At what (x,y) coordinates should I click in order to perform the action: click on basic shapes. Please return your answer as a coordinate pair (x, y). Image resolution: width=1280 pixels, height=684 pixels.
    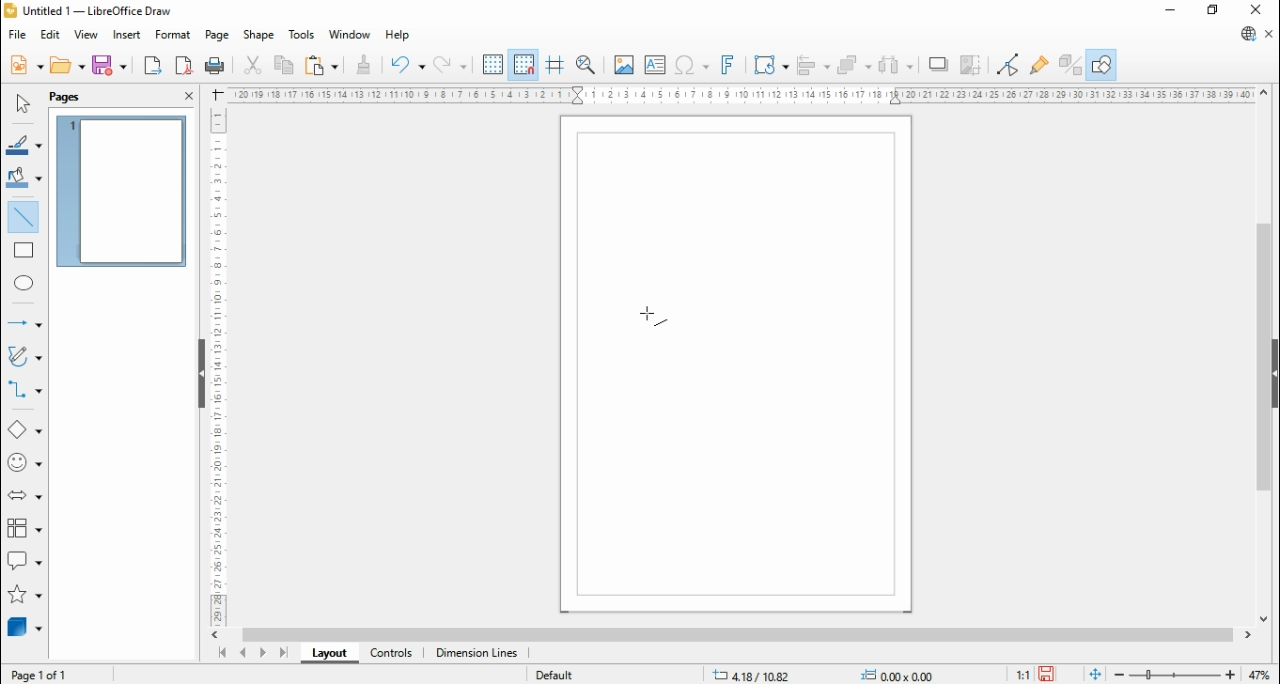
    Looking at the image, I should click on (24, 430).